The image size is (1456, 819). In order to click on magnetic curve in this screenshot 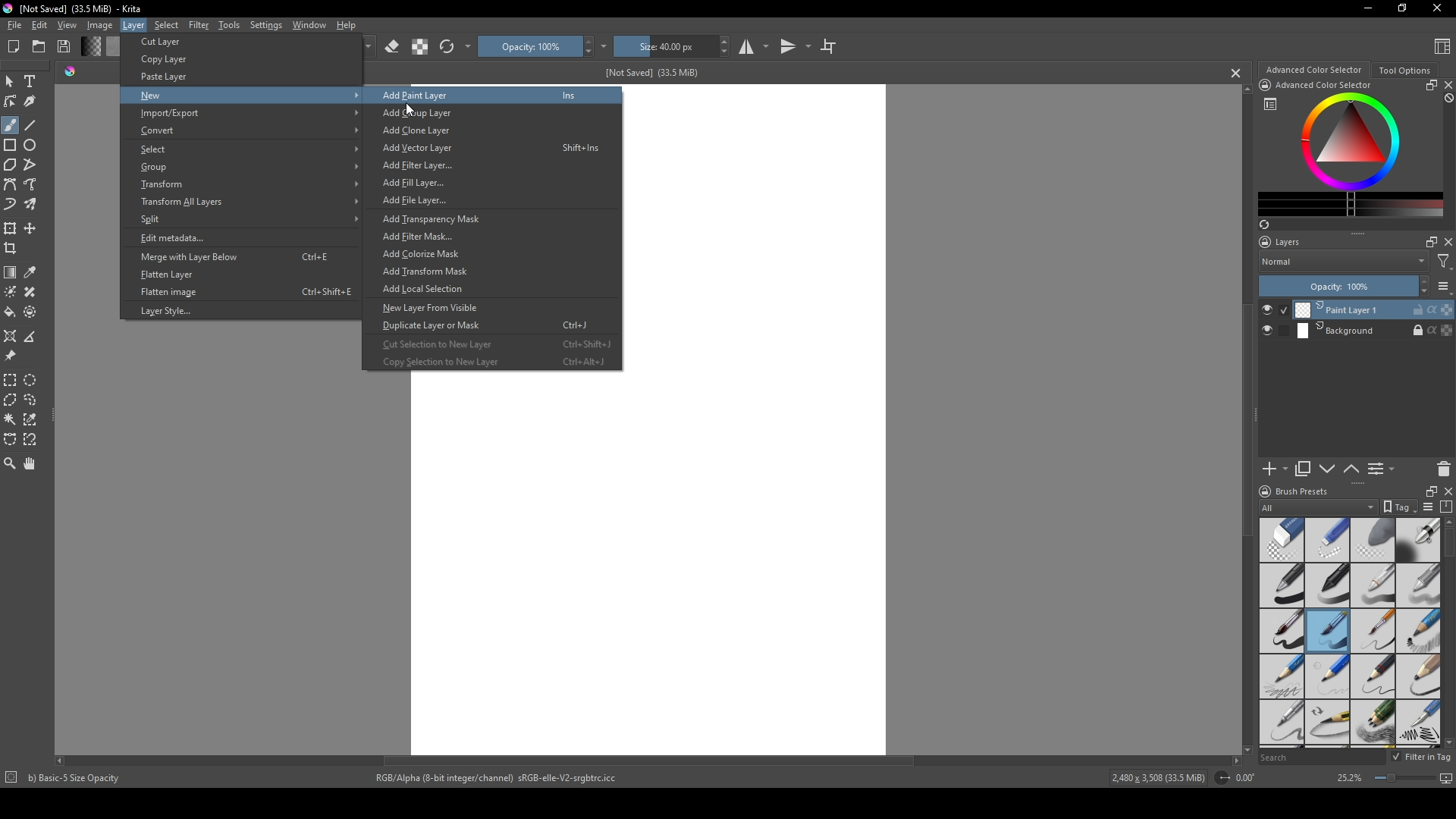, I will do `click(32, 441)`.